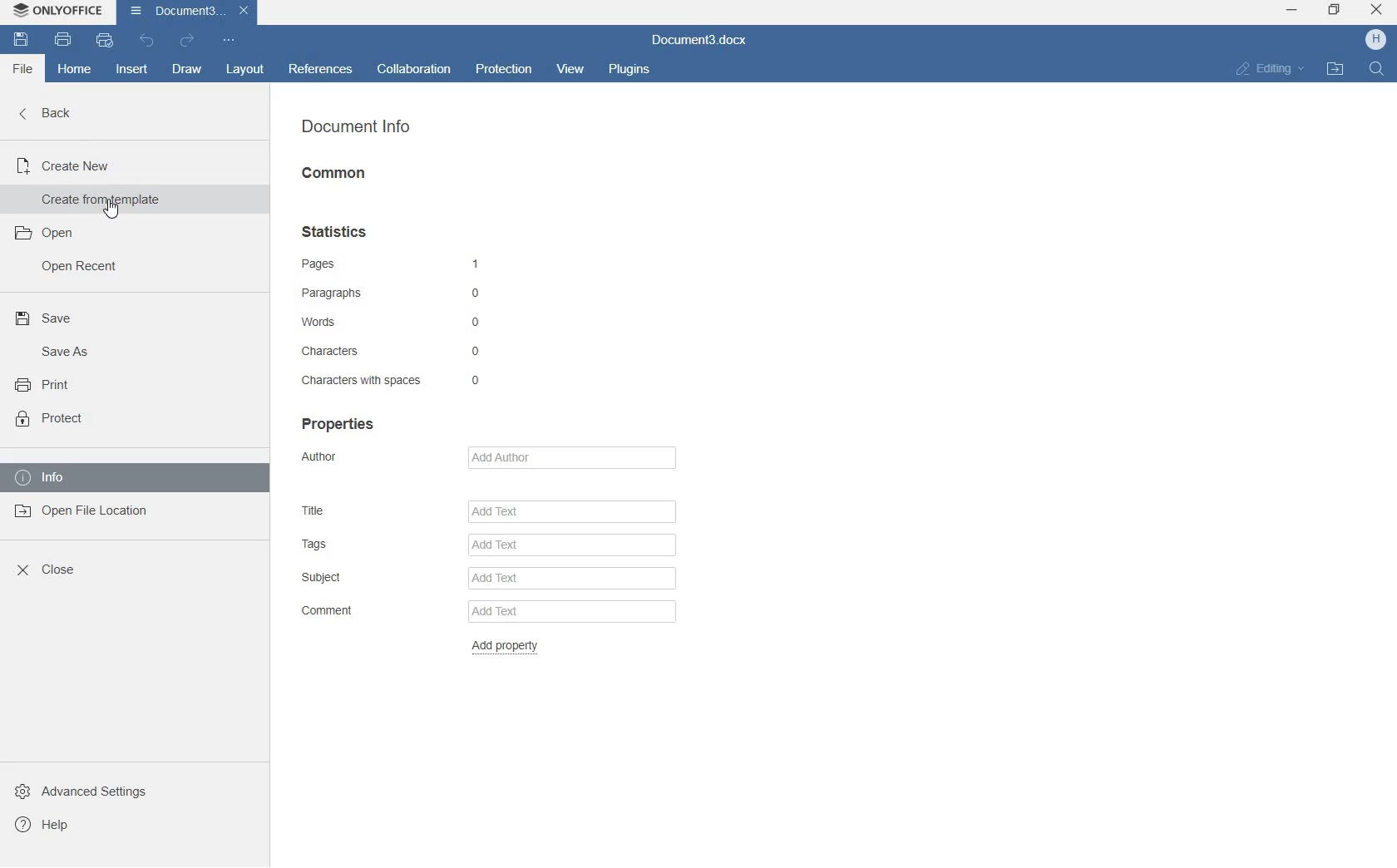  Describe the element at coordinates (95, 512) in the screenshot. I see `open file location` at that location.